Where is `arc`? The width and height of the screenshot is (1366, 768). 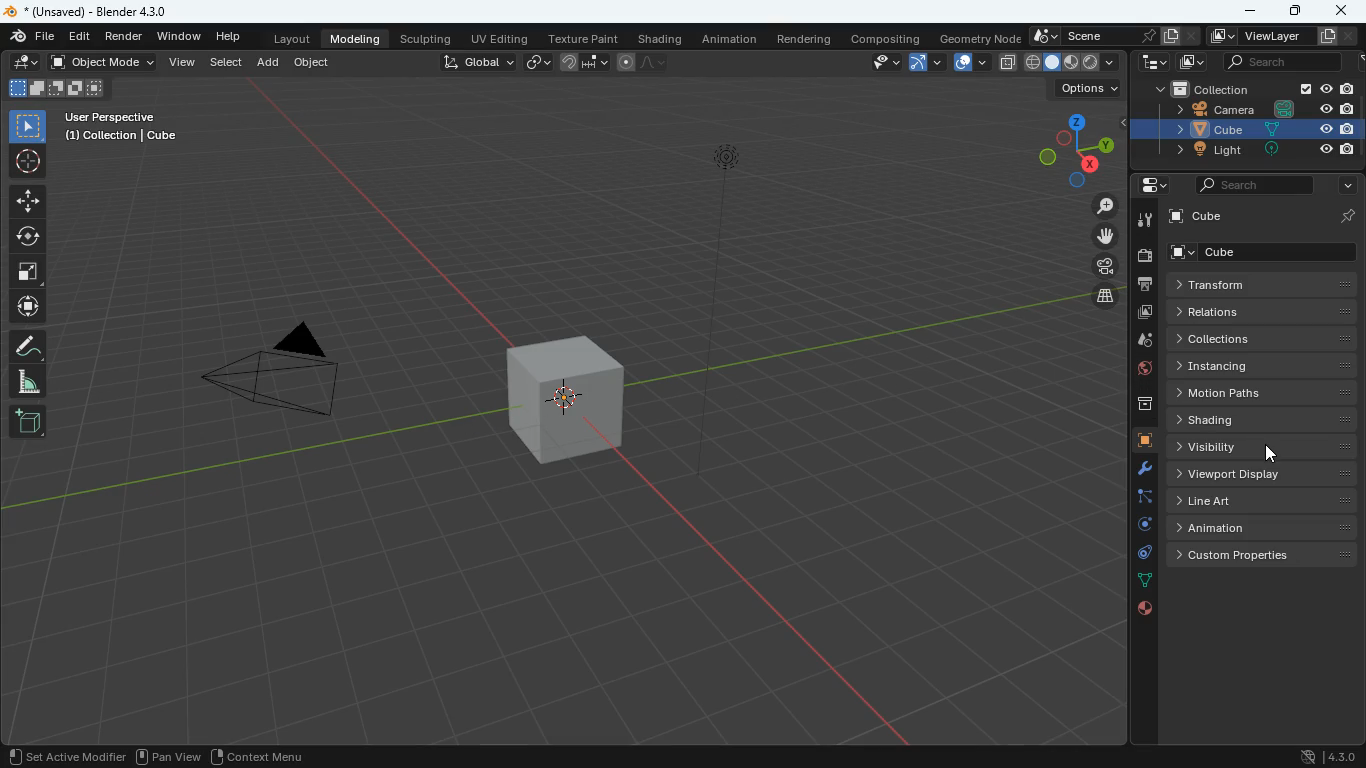 arc is located at coordinates (927, 61).